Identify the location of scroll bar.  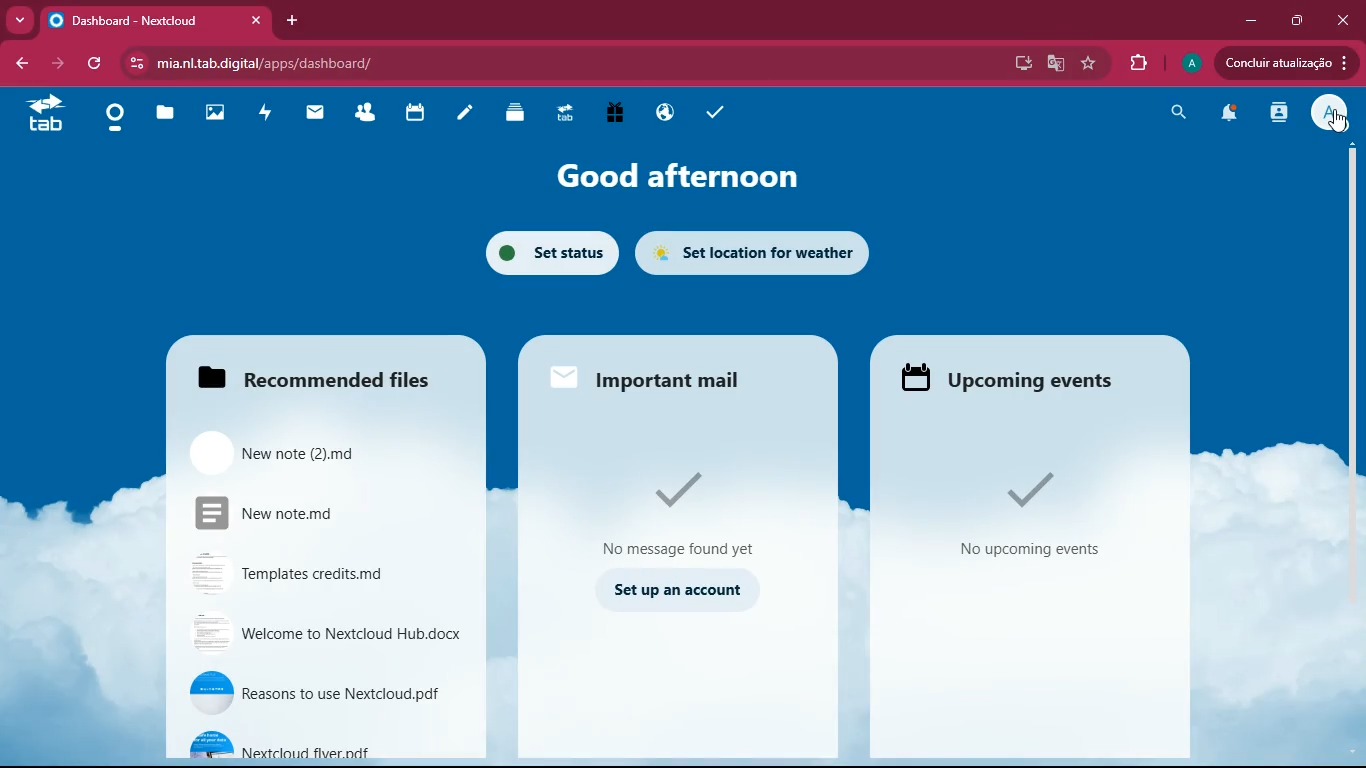
(1348, 324).